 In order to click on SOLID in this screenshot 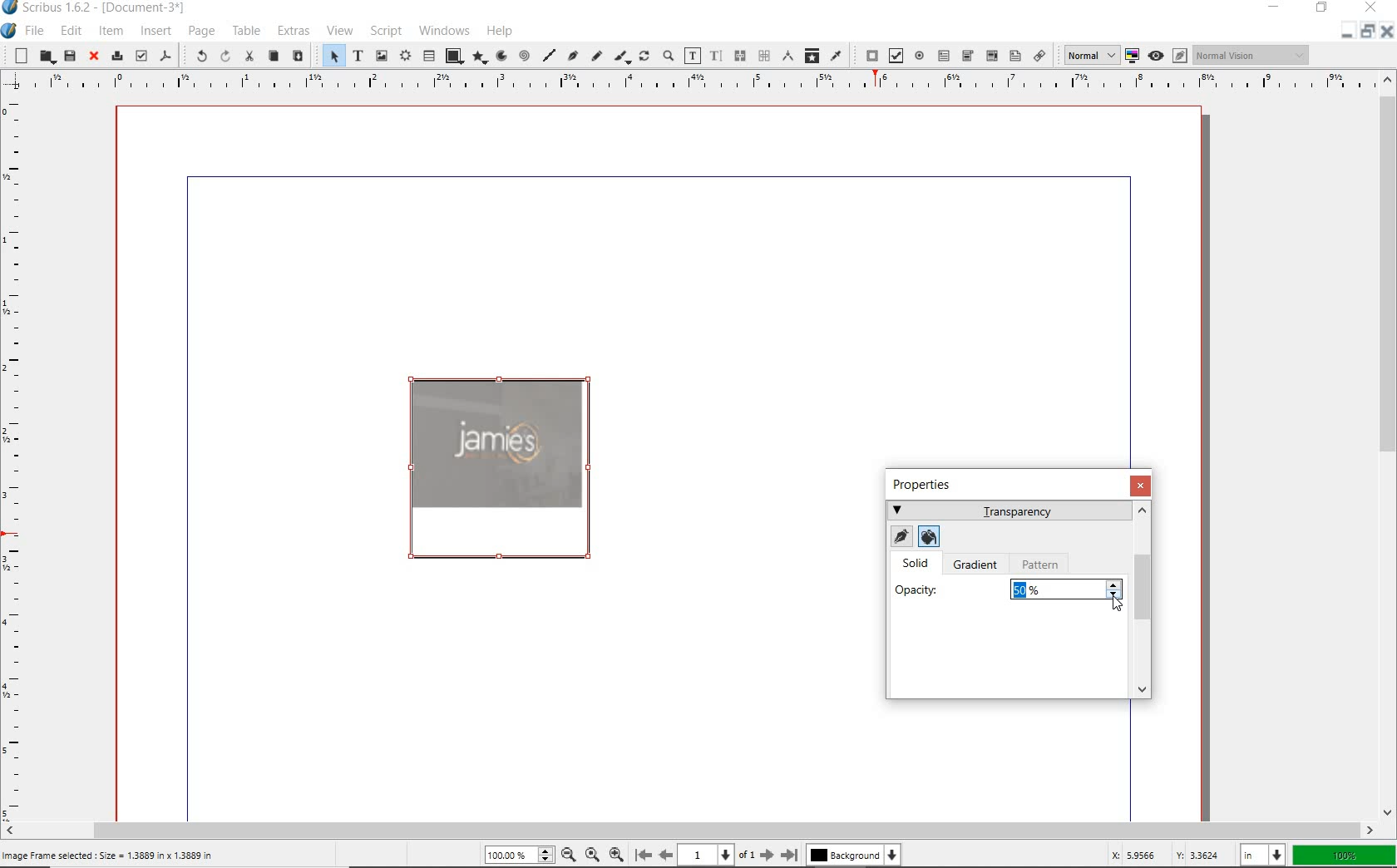, I will do `click(918, 565)`.